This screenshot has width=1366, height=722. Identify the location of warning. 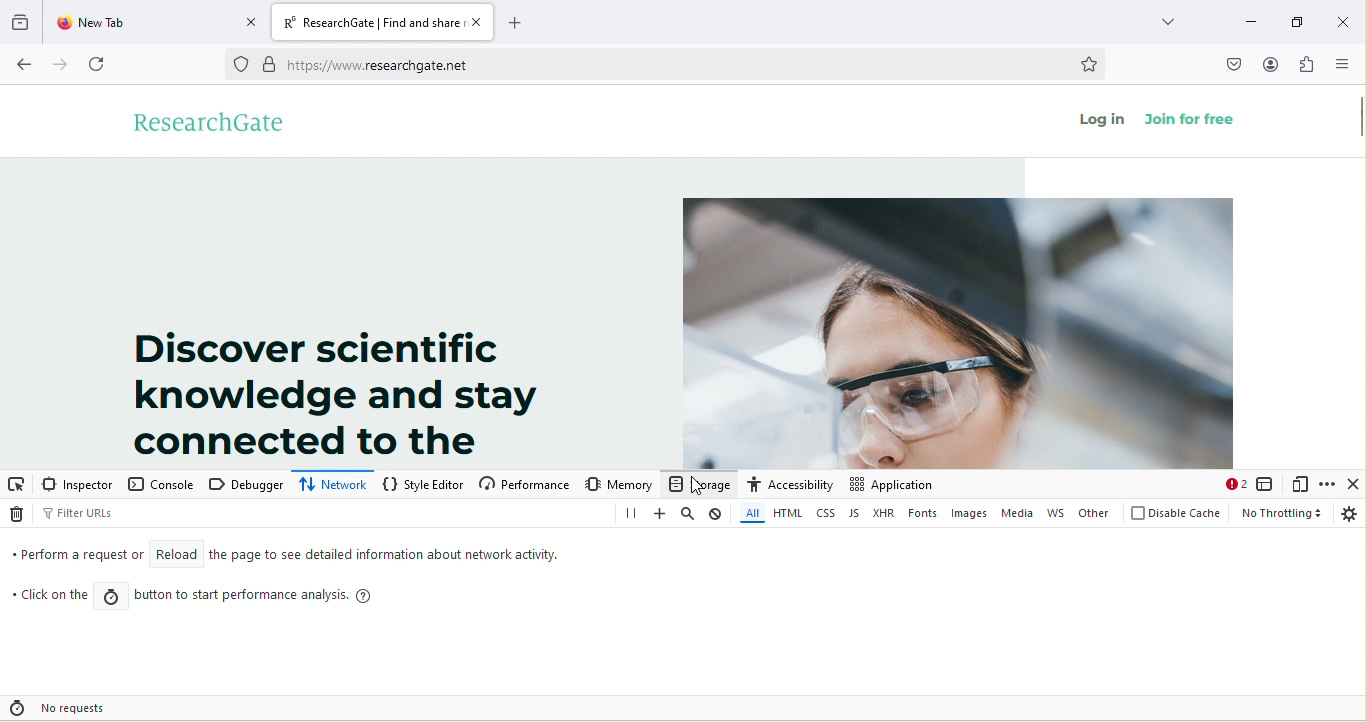
(1232, 485).